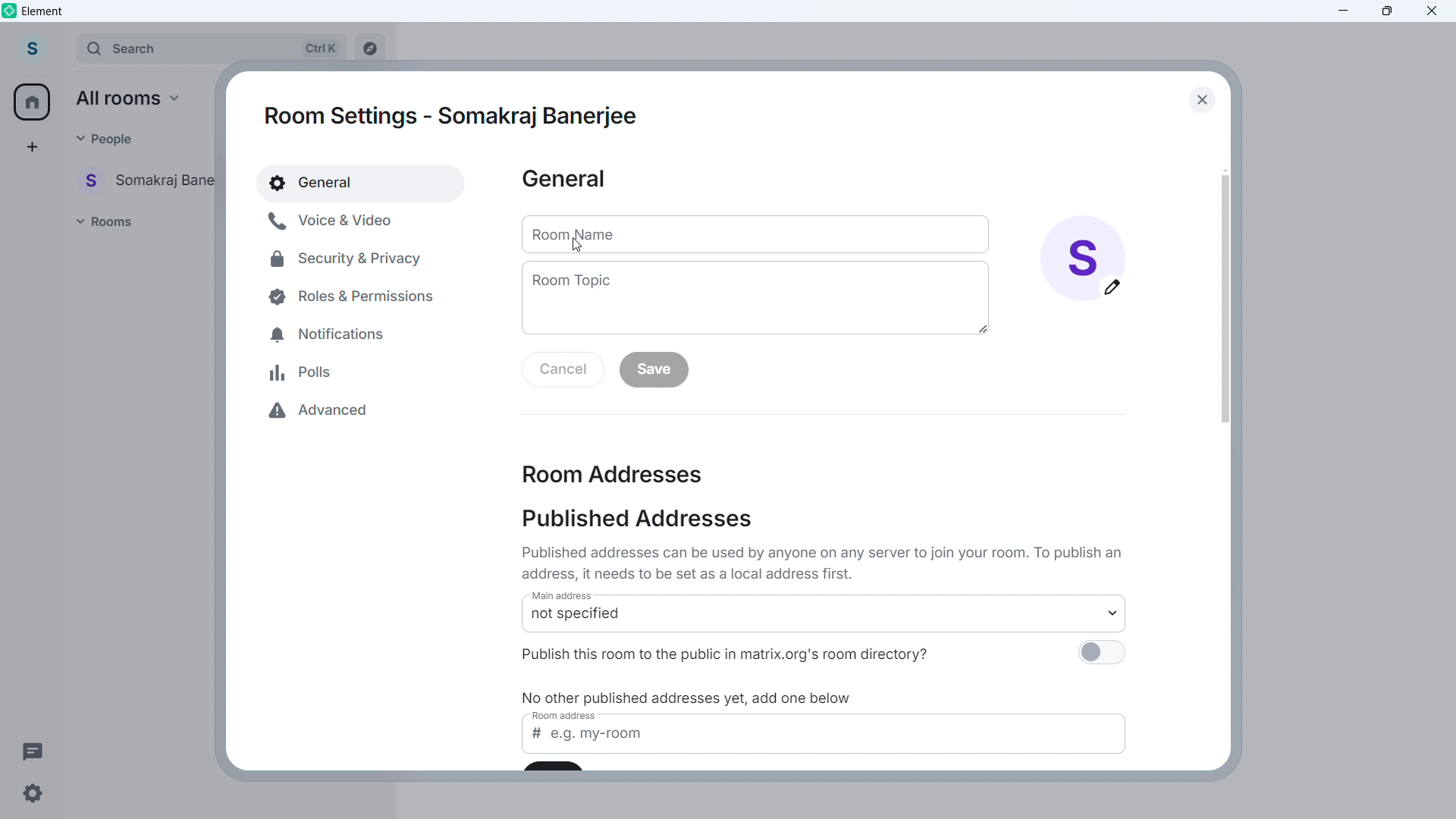  Describe the element at coordinates (149, 179) in the screenshot. I see `User Conversation  ` at that location.